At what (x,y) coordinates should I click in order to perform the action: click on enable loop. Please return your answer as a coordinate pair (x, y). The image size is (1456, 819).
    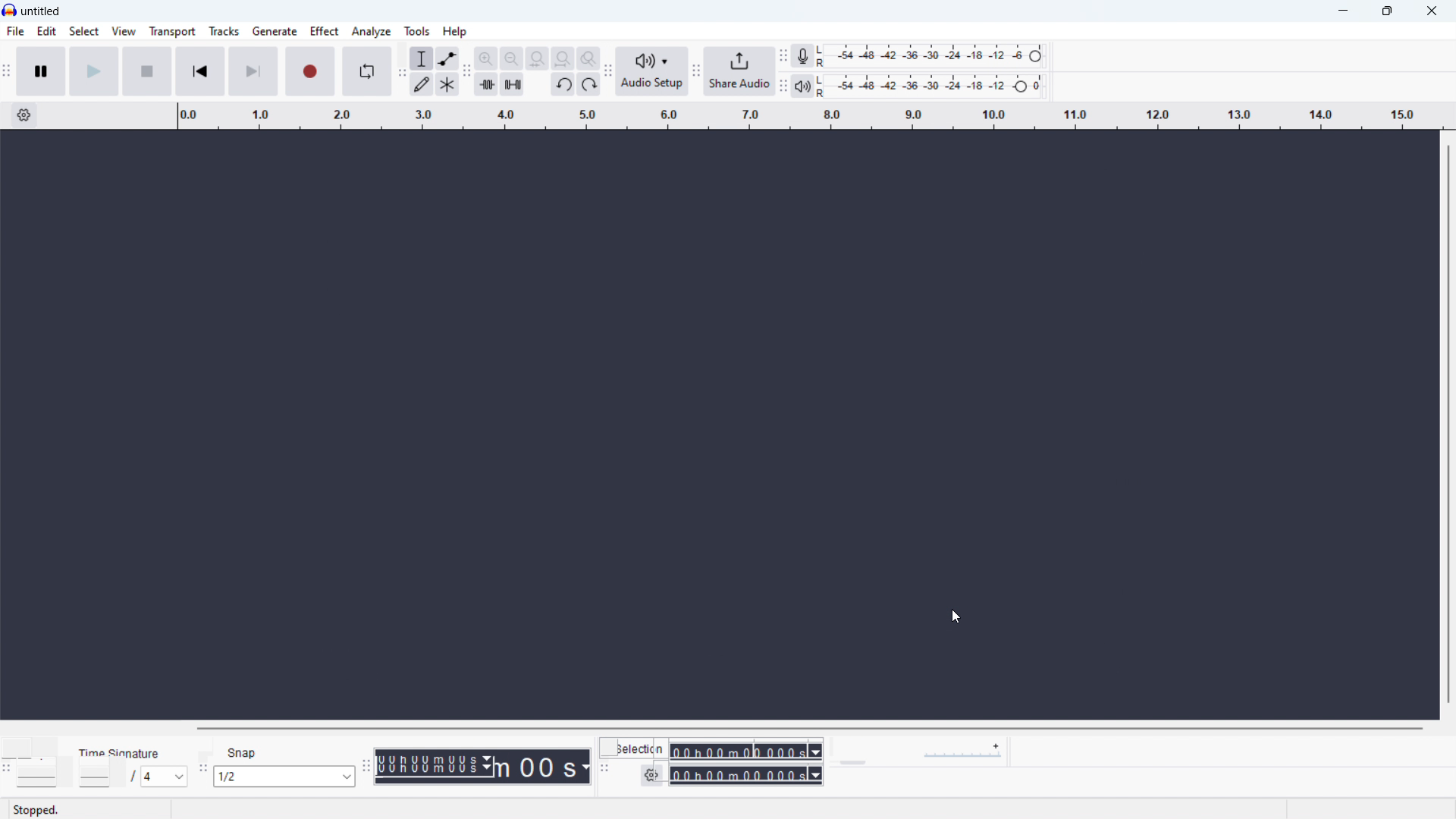
    Looking at the image, I should click on (368, 71).